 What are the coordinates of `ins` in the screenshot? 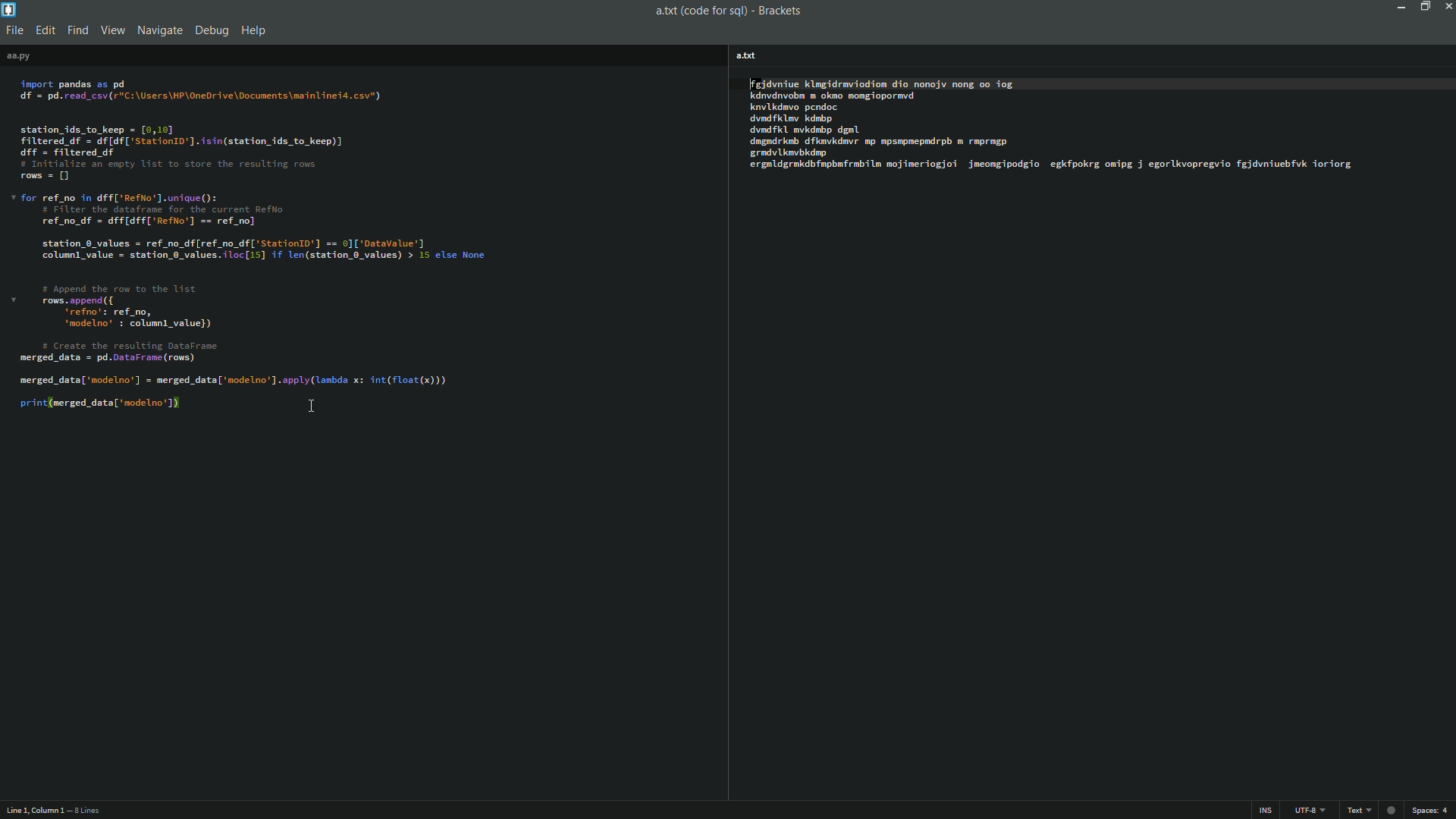 It's located at (1254, 808).